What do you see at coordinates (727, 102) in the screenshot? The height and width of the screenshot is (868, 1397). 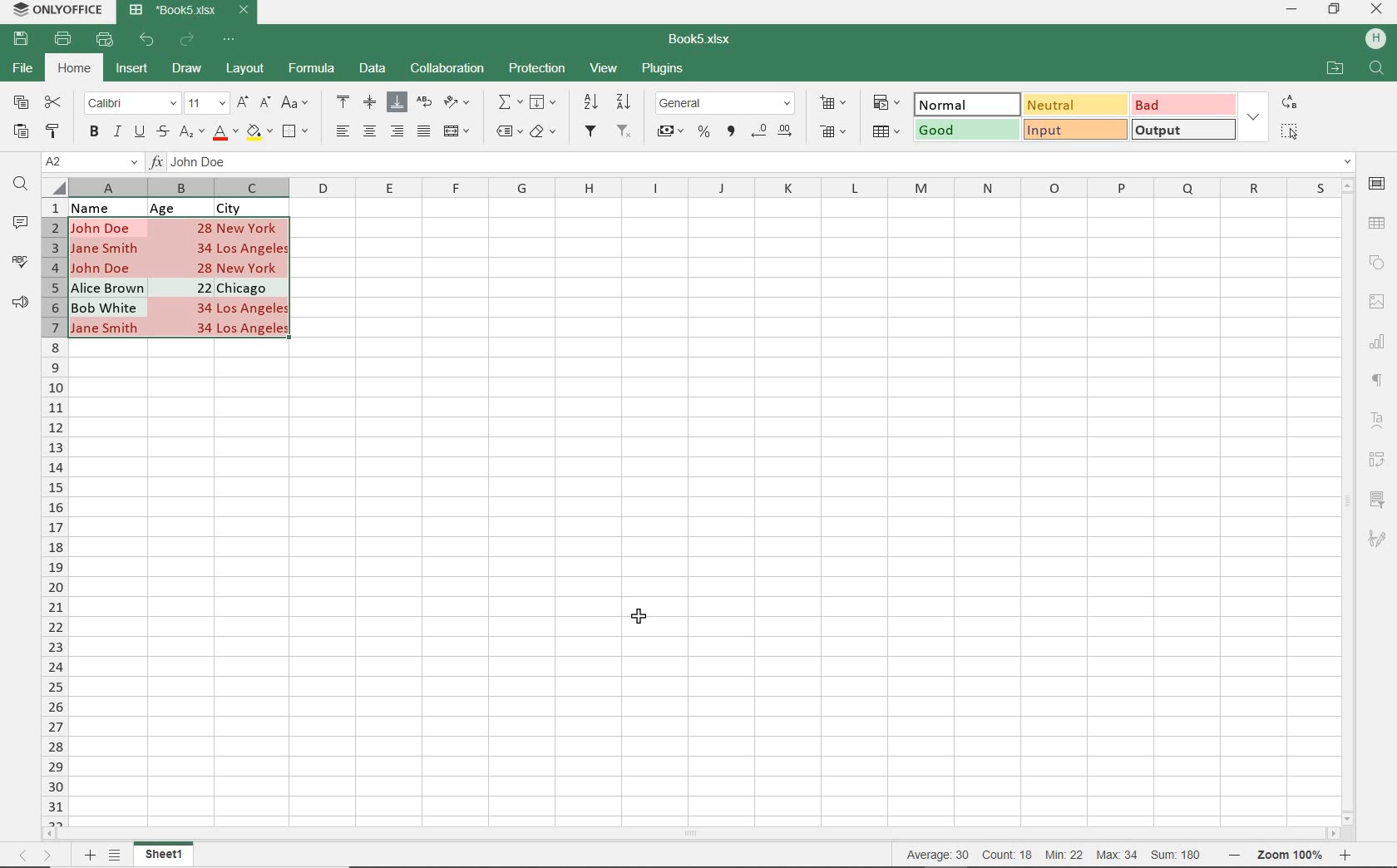 I see `NUMBER FORMAT` at bounding box center [727, 102].